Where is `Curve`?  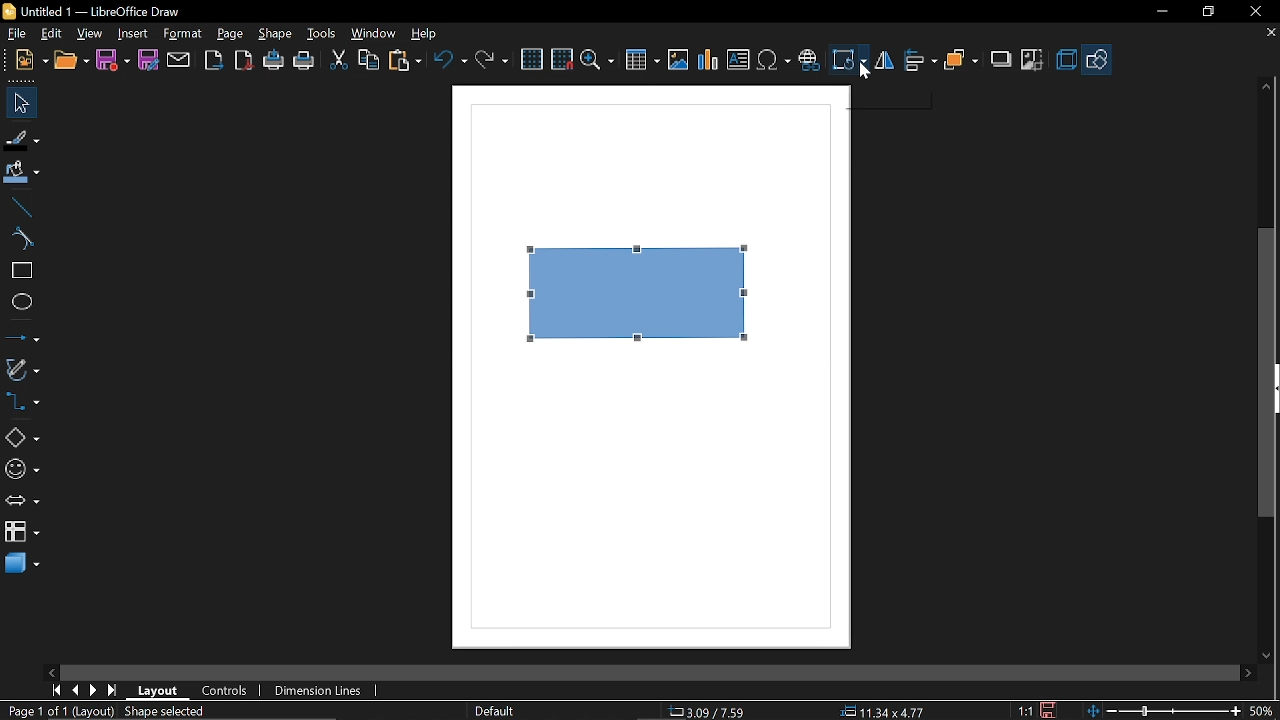
Curve is located at coordinates (19, 239).